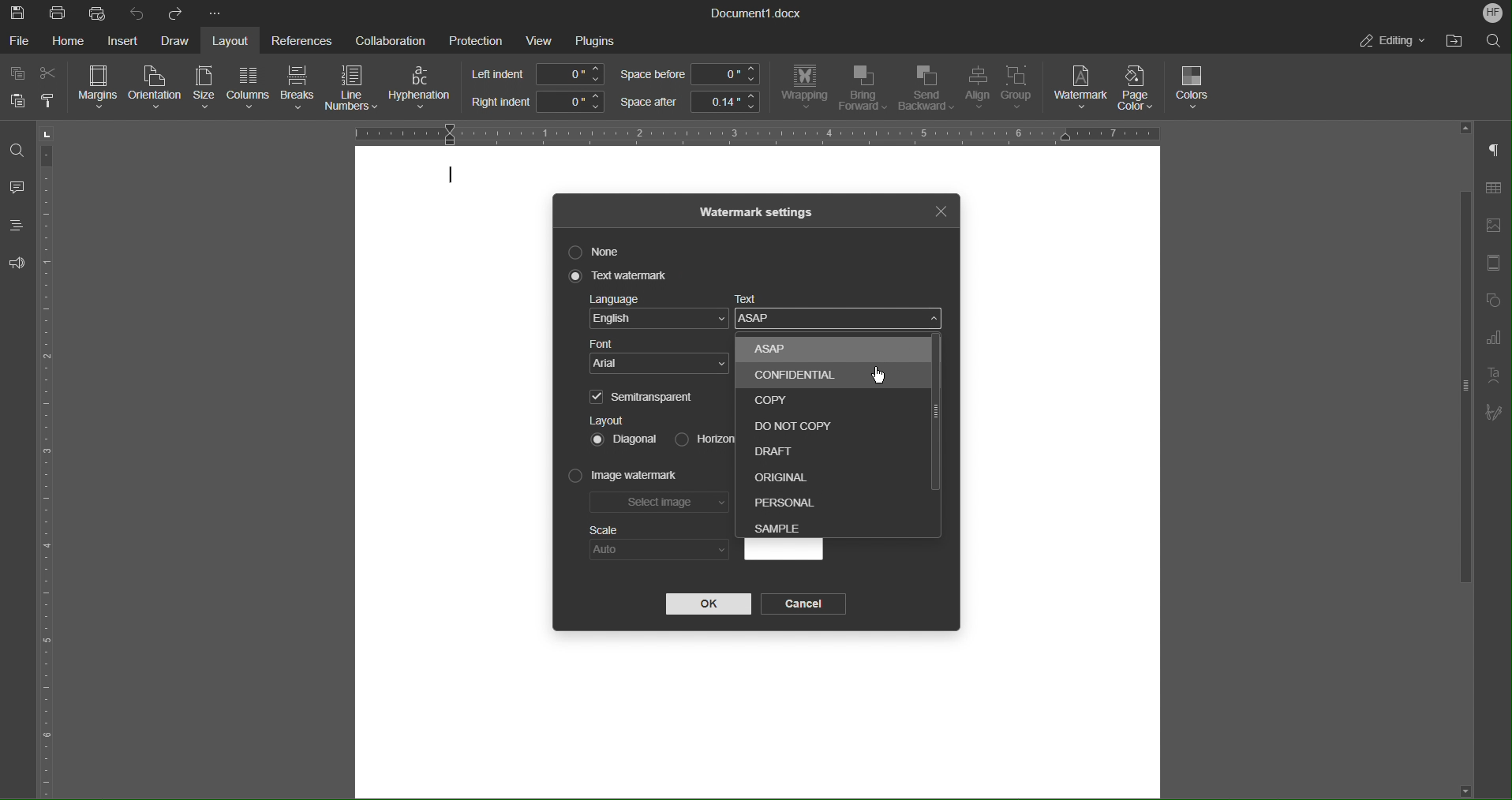 This screenshot has height=800, width=1512. What do you see at coordinates (1141, 88) in the screenshot?
I see `Page Color` at bounding box center [1141, 88].